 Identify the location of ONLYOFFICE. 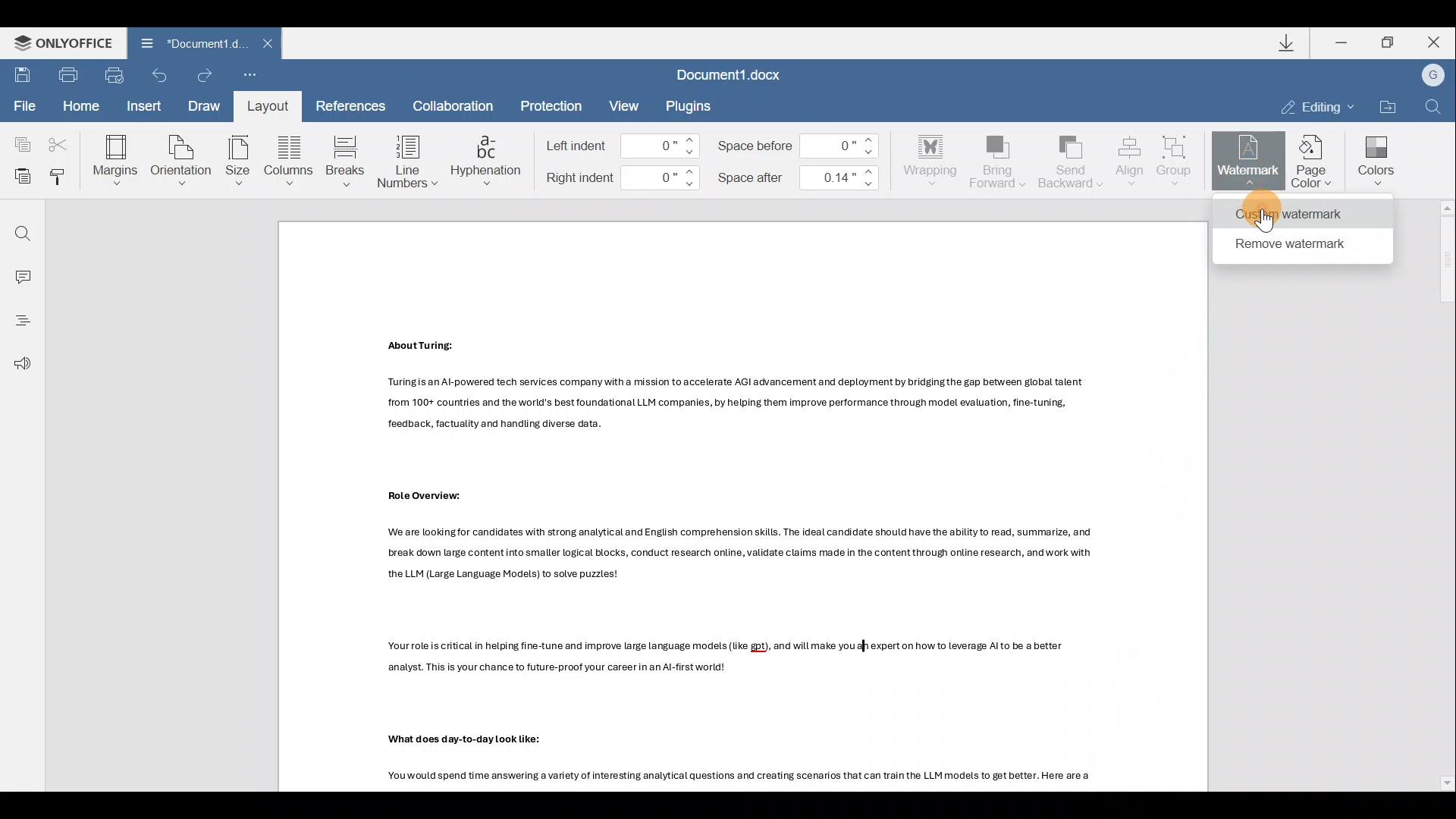
(63, 42).